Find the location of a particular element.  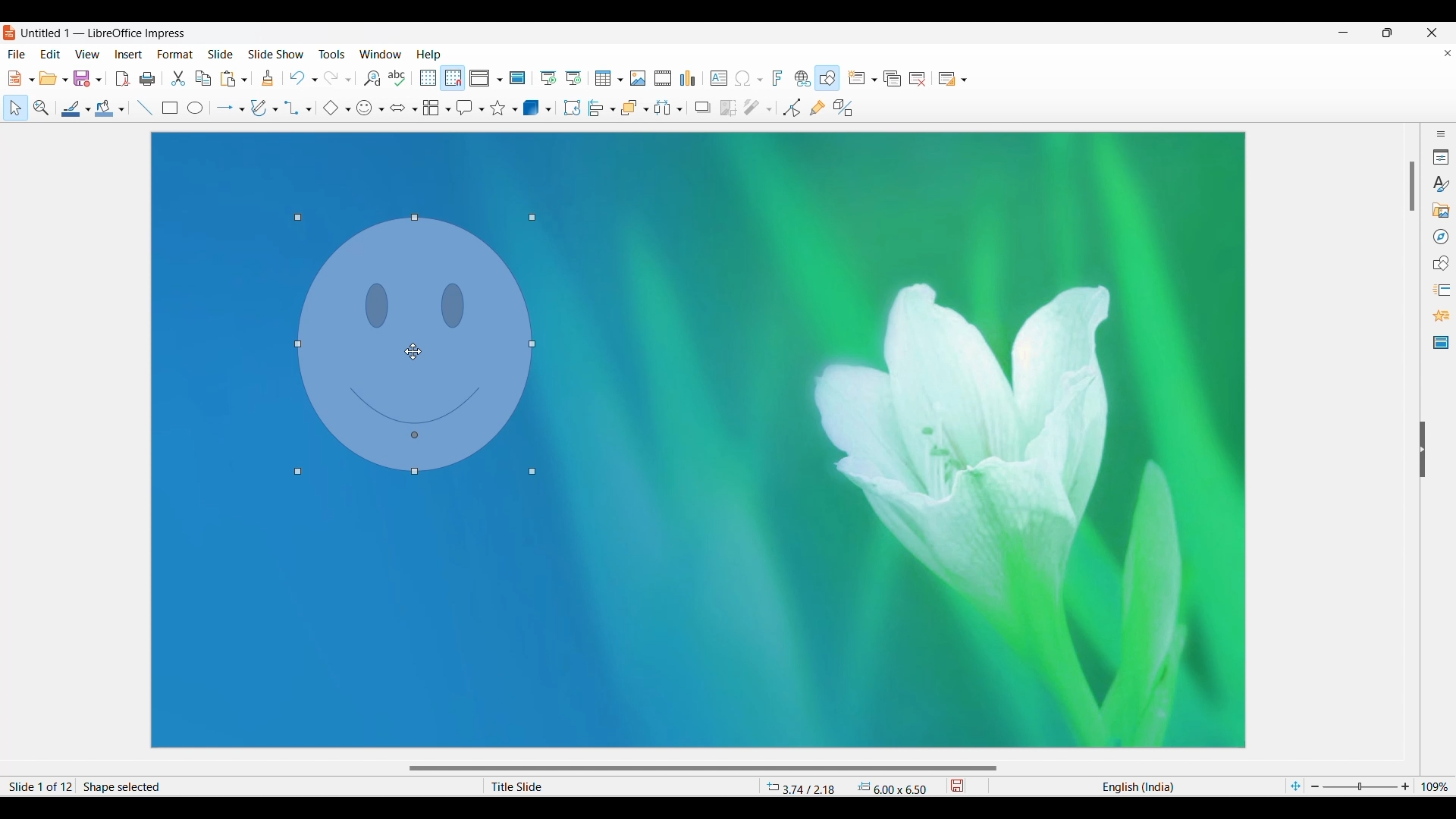

Zoom and pan is located at coordinates (42, 108).